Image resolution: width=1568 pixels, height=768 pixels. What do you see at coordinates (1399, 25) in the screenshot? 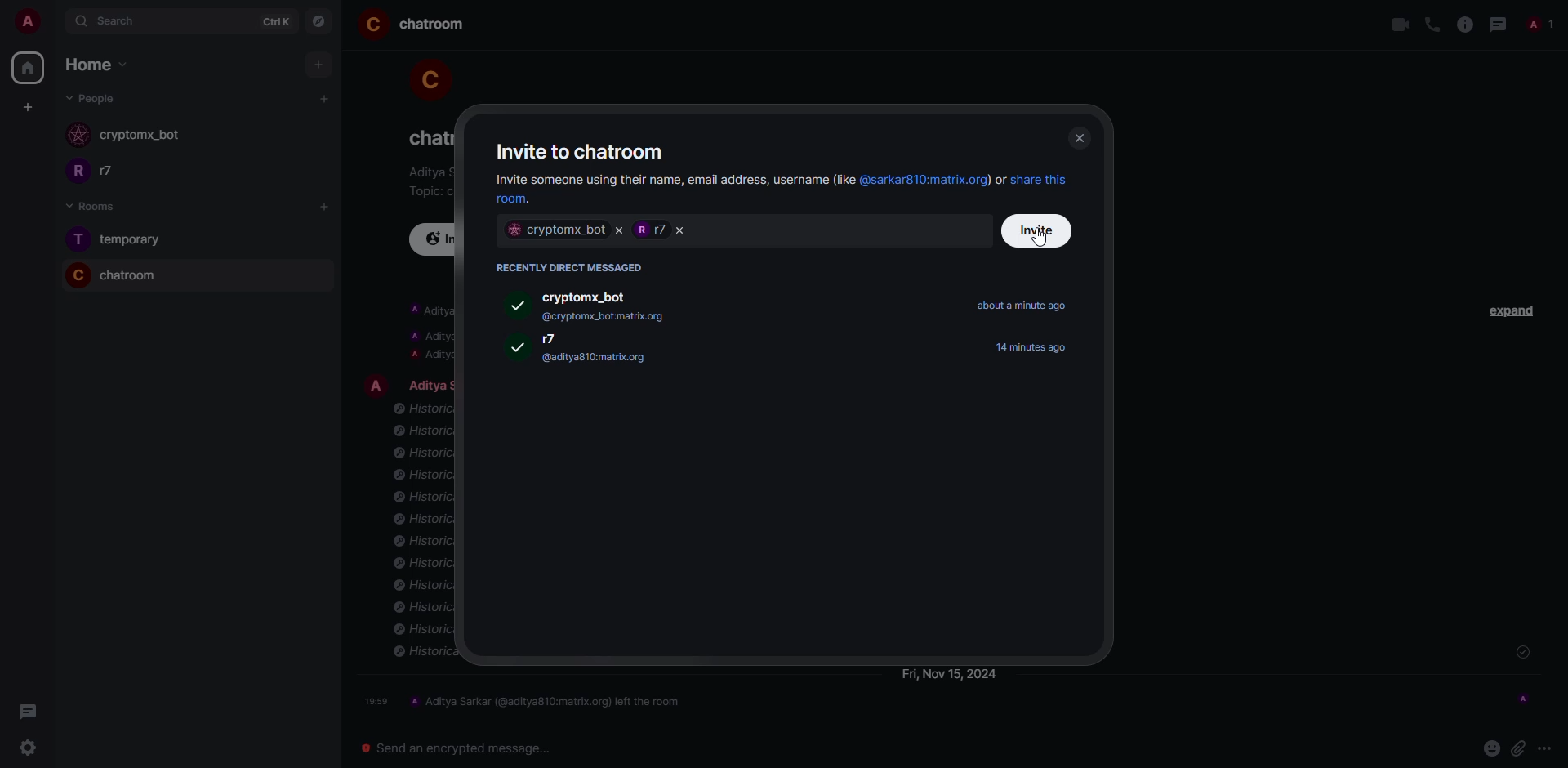
I see `video call` at bounding box center [1399, 25].